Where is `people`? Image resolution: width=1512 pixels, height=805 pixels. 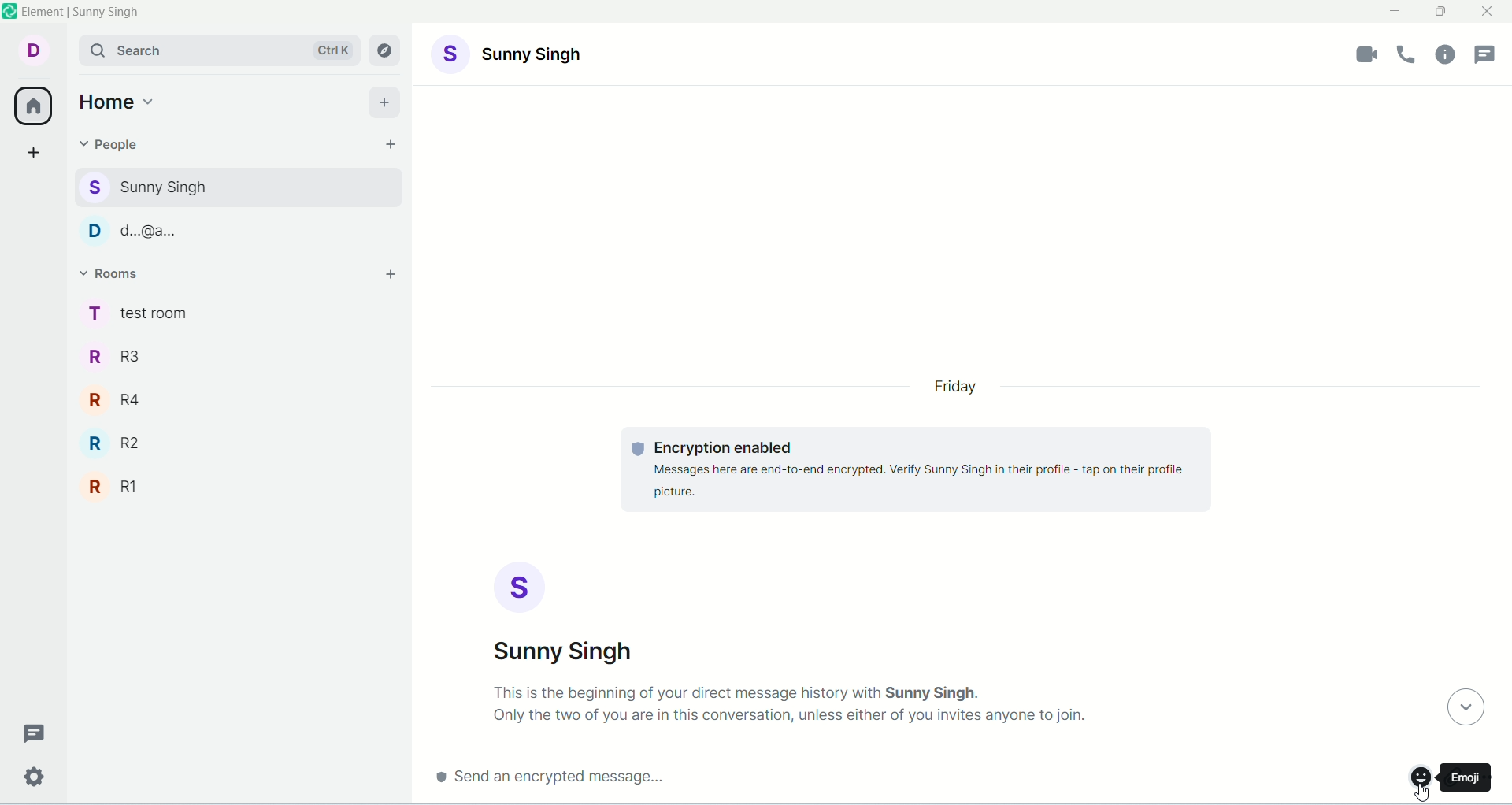 people is located at coordinates (111, 143).